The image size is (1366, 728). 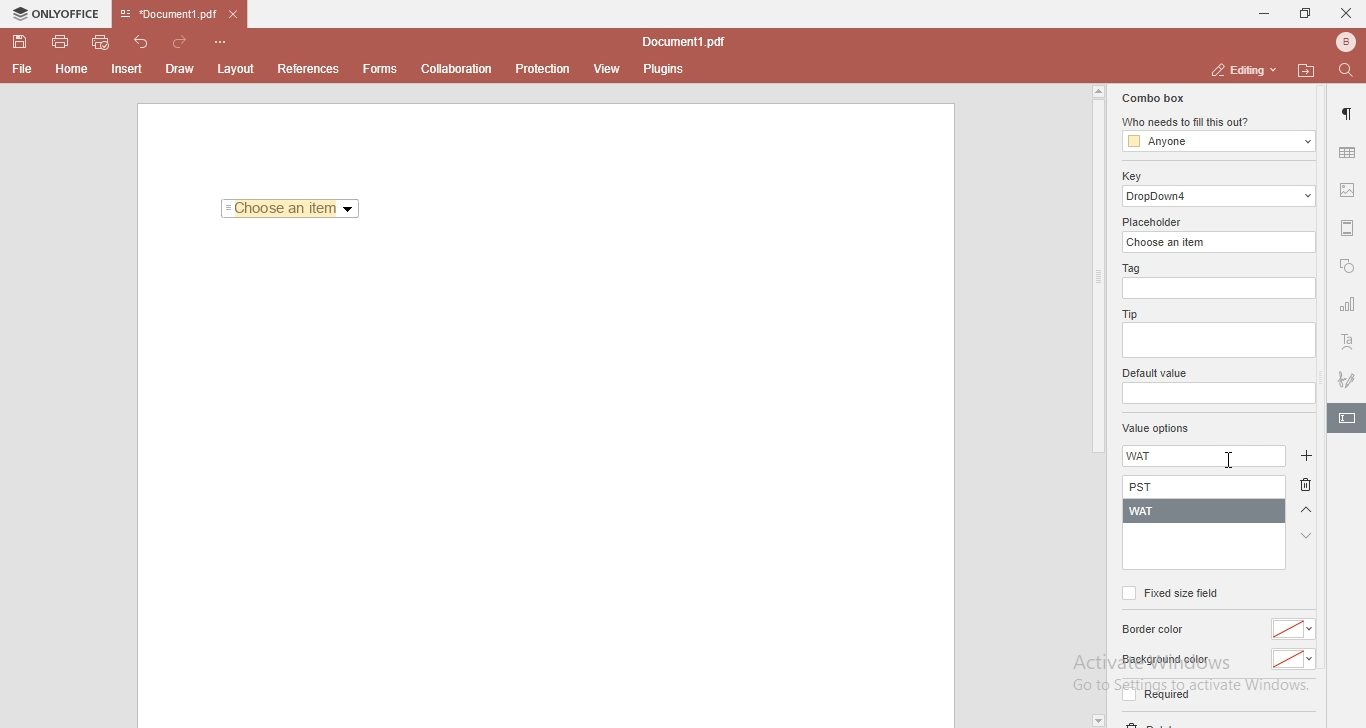 I want to click on layout, so click(x=239, y=69).